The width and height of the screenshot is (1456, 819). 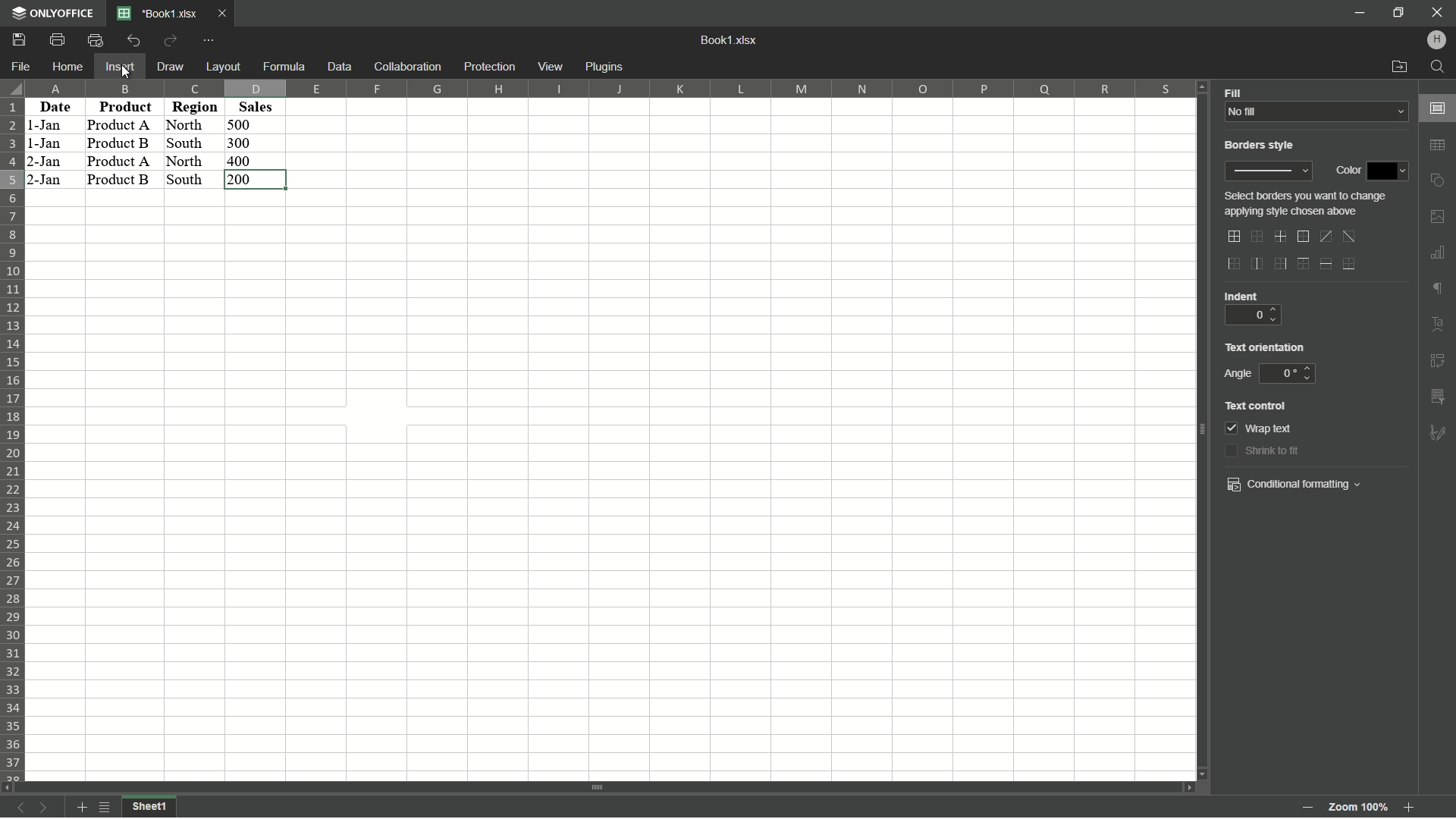 What do you see at coordinates (1267, 170) in the screenshot?
I see `border style preview` at bounding box center [1267, 170].